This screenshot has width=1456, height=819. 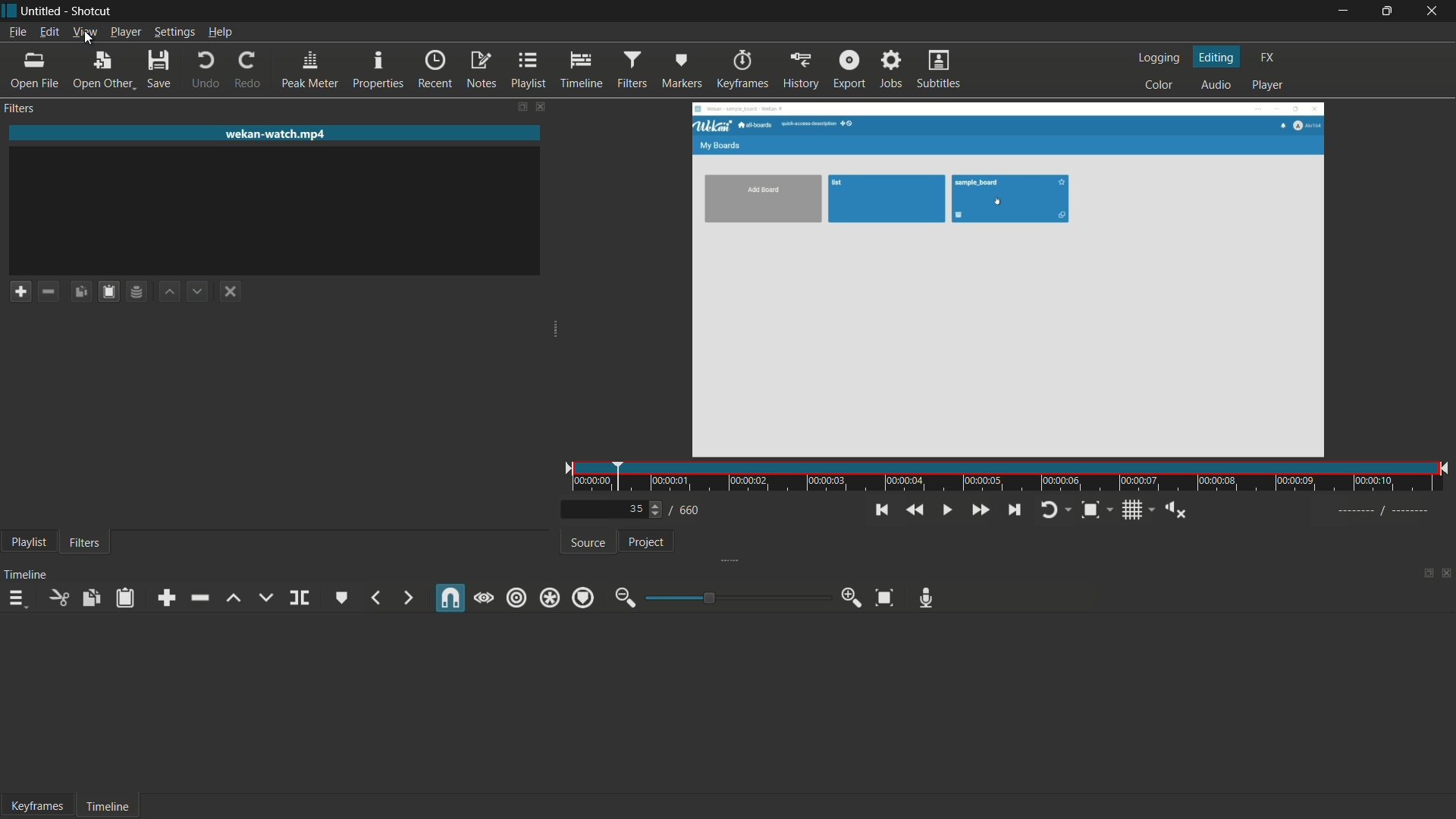 What do you see at coordinates (626, 598) in the screenshot?
I see `zoom out` at bounding box center [626, 598].